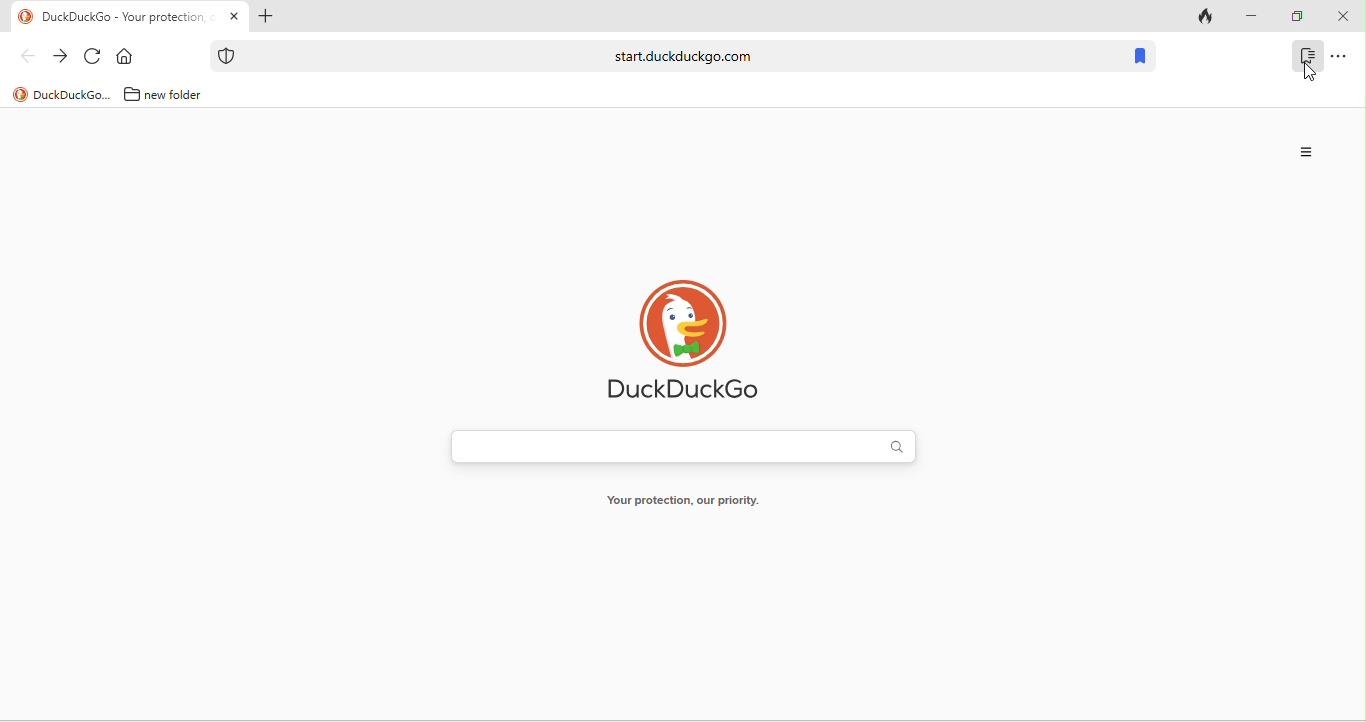 This screenshot has width=1366, height=722. I want to click on option, so click(1308, 152).